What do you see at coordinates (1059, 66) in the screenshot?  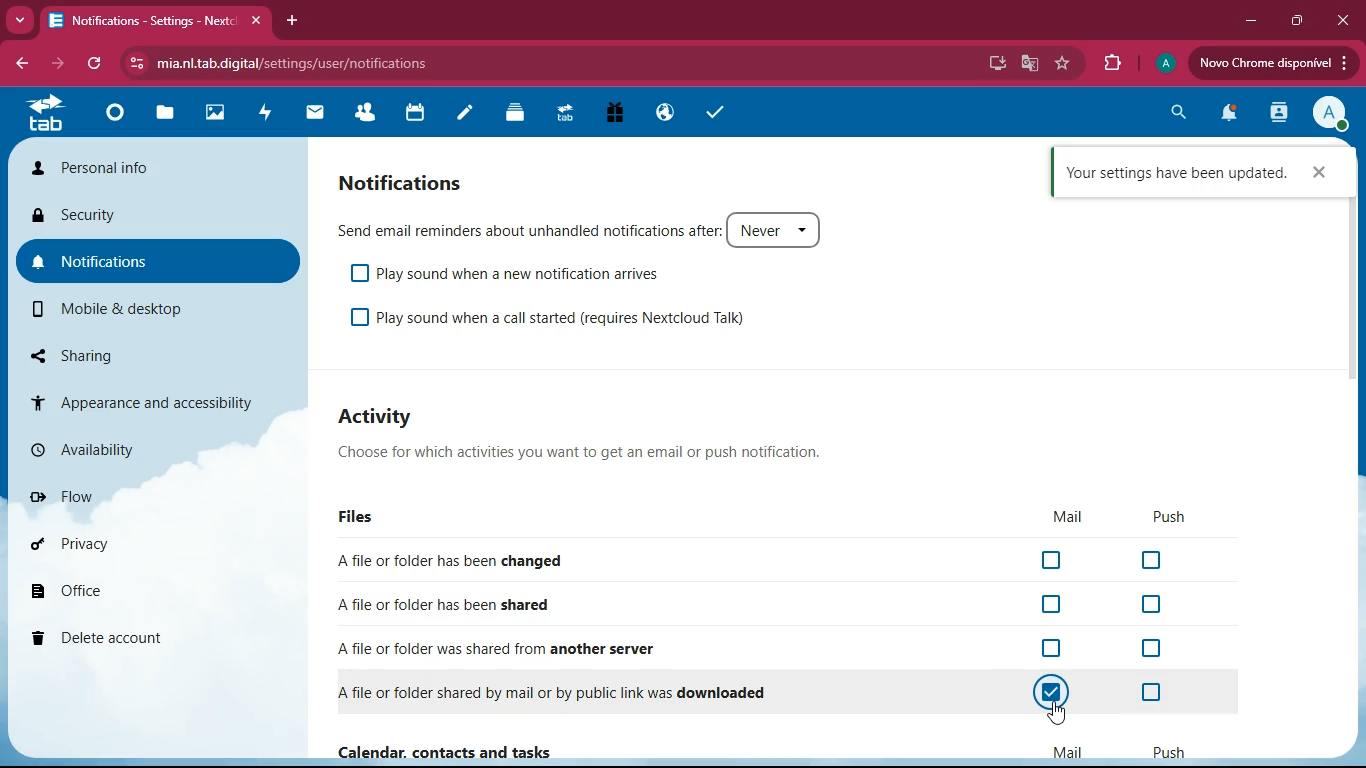 I see `favourite` at bounding box center [1059, 66].